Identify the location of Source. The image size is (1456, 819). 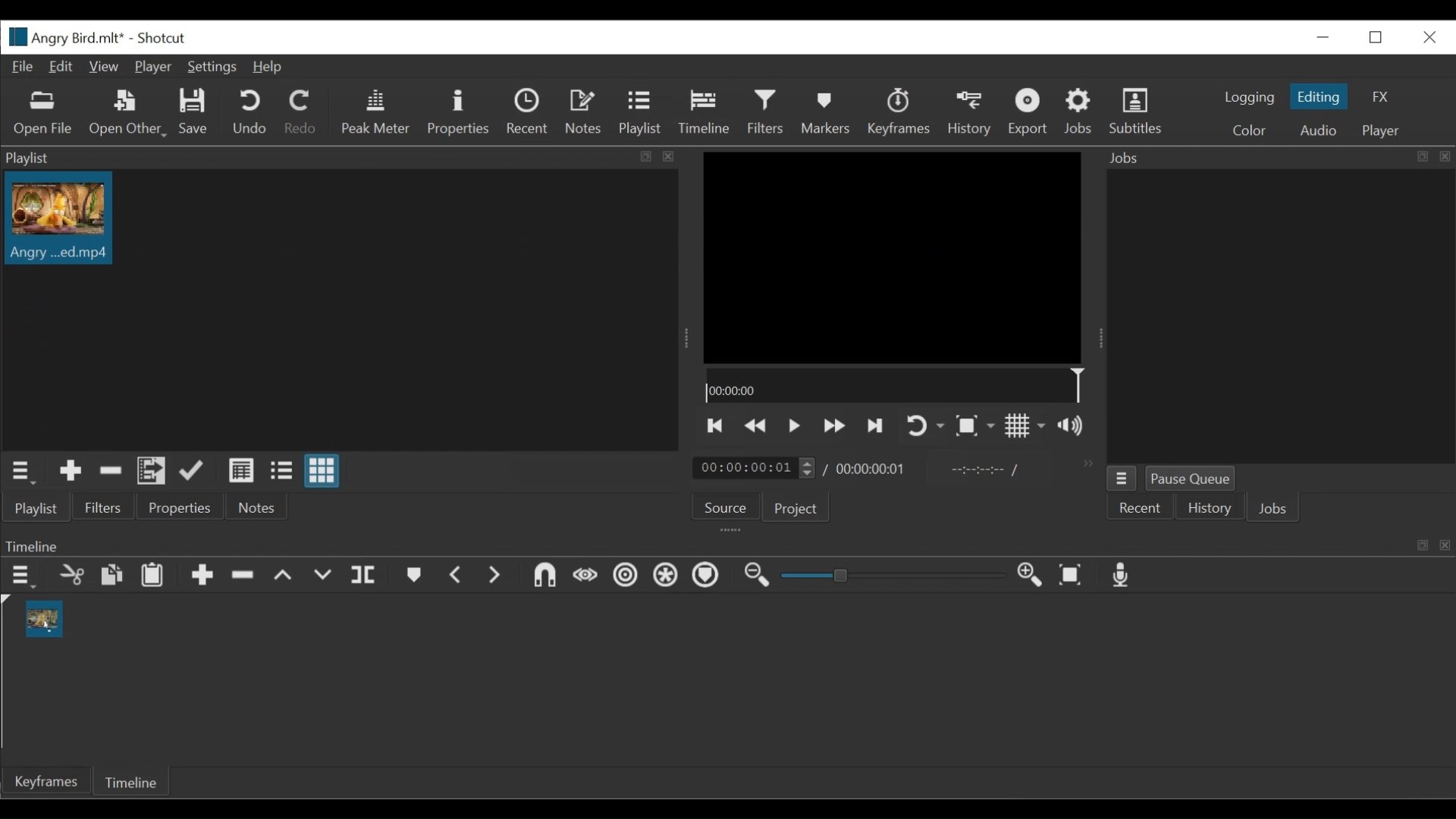
(726, 504).